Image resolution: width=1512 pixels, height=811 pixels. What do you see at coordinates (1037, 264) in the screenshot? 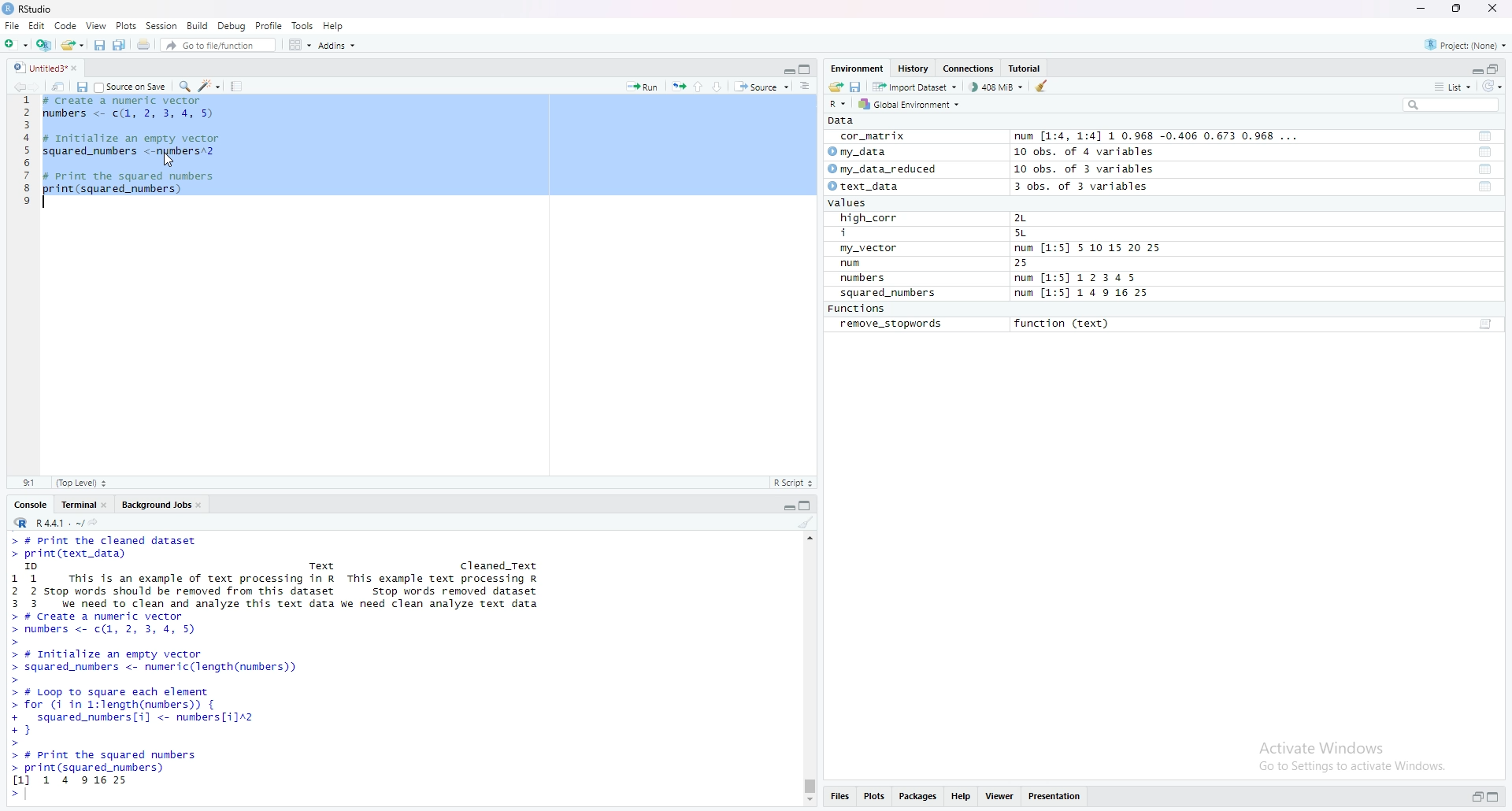
I see `25` at bounding box center [1037, 264].